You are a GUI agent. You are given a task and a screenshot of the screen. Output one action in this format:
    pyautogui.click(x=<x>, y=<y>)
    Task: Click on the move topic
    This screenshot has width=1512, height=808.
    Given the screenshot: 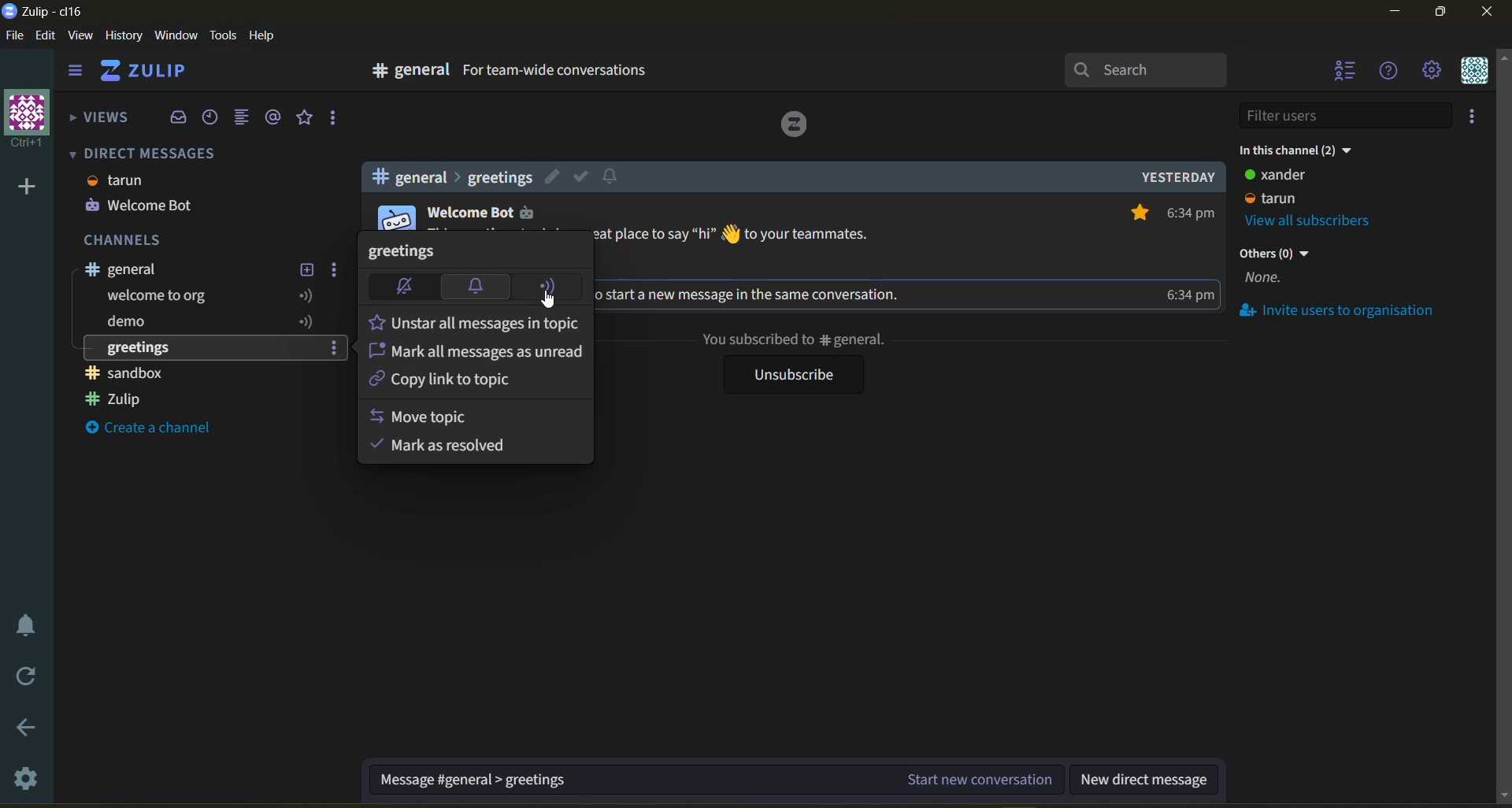 What is the action you would take?
    pyautogui.click(x=429, y=418)
    